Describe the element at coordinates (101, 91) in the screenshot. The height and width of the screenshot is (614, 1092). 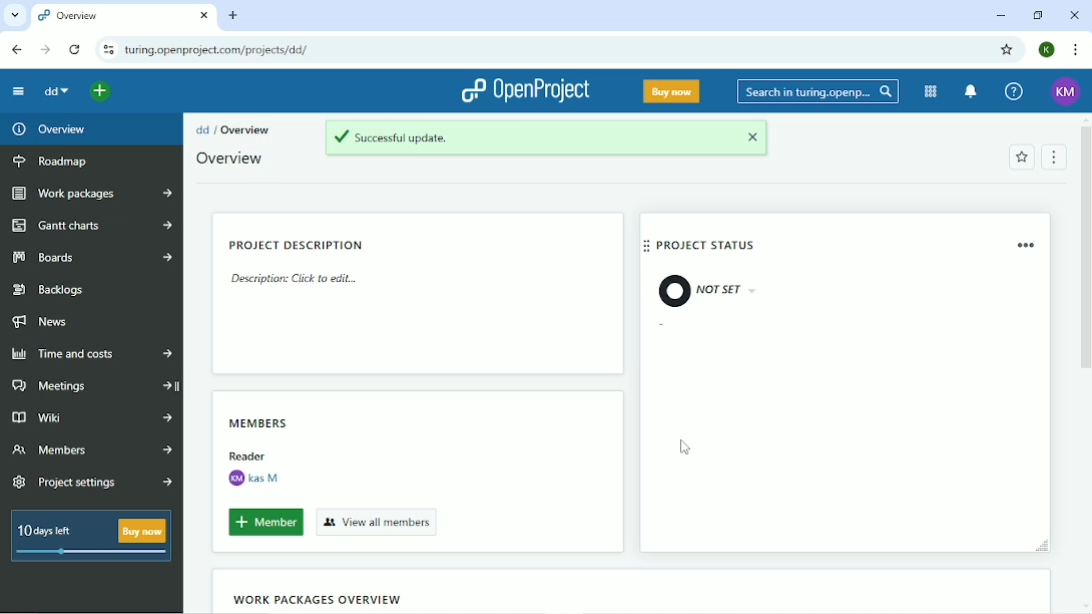
I see `Open quick add menu` at that location.